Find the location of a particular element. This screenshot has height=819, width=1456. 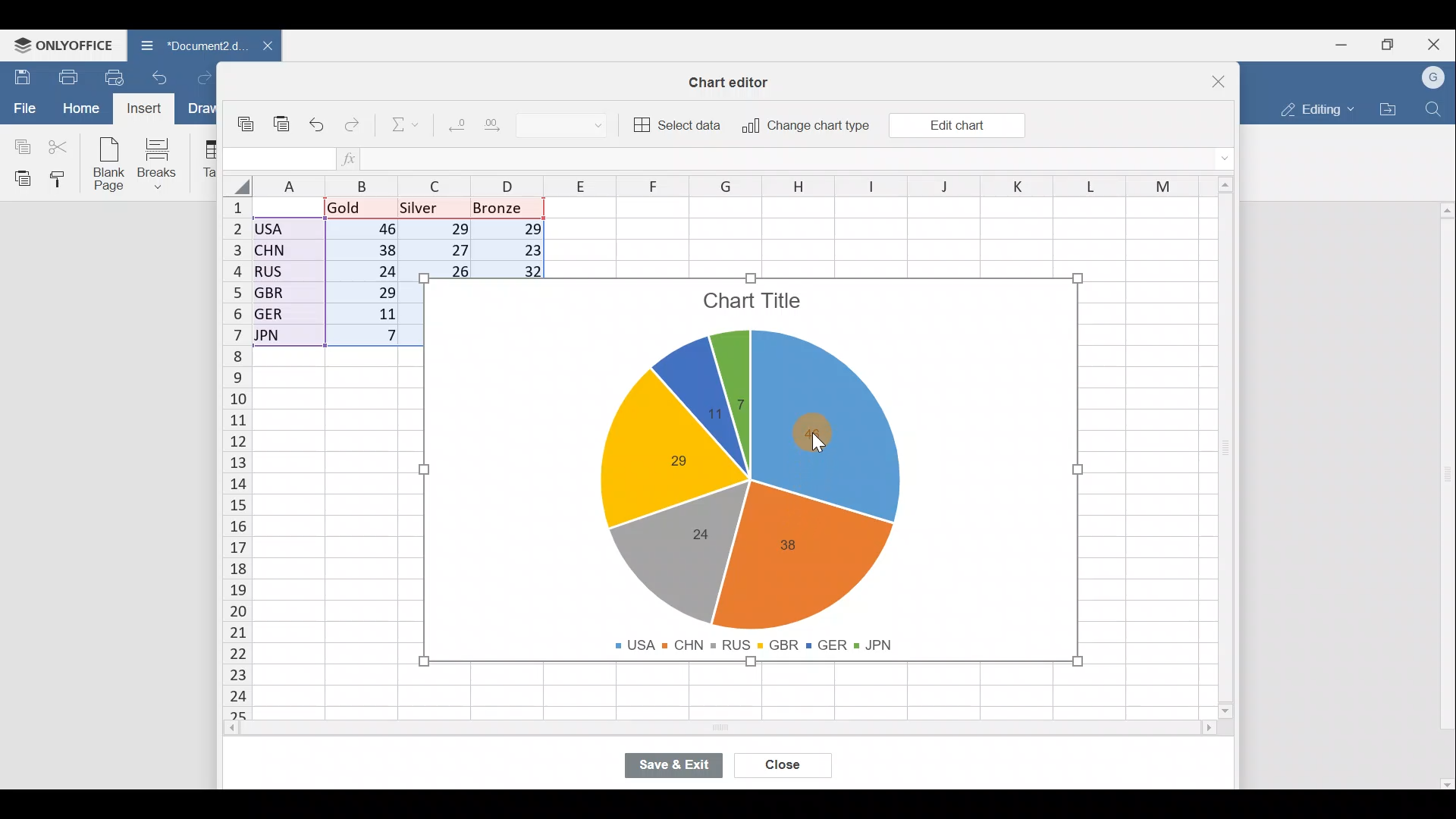

Table is located at coordinates (205, 159).